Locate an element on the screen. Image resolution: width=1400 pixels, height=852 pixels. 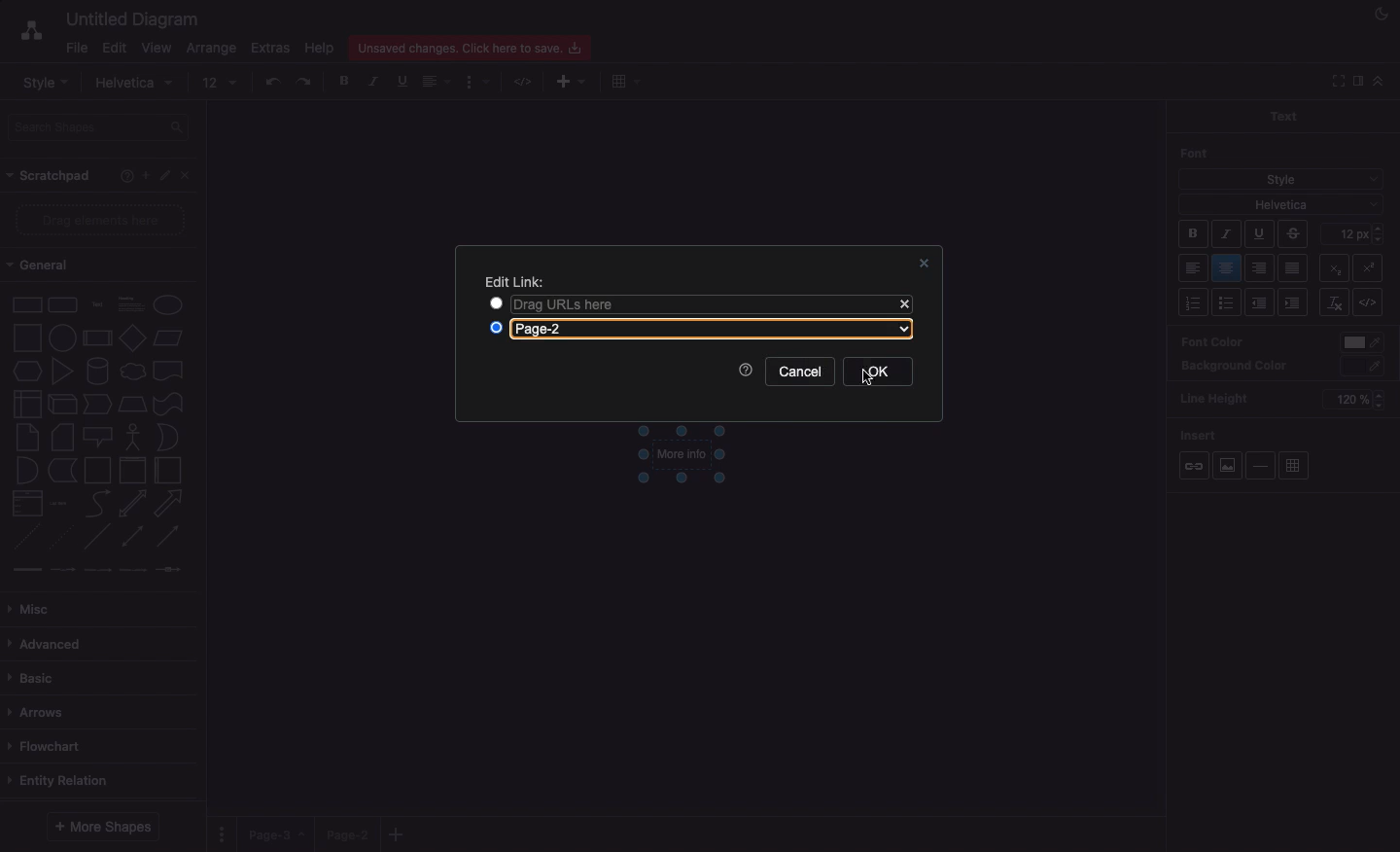
Undo is located at coordinates (272, 81).